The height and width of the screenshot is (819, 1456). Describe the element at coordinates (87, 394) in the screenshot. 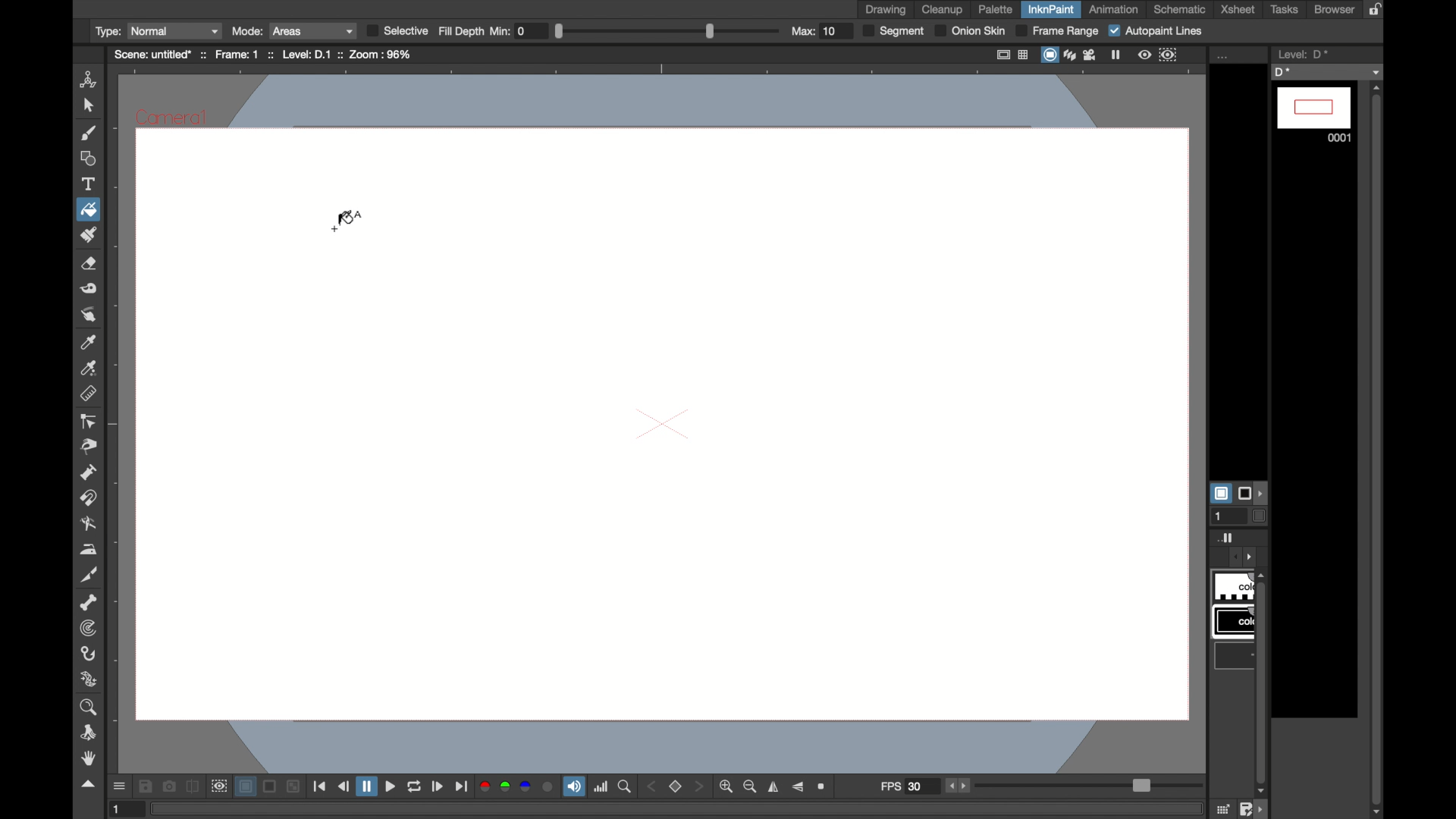

I see `ruler tool` at that location.